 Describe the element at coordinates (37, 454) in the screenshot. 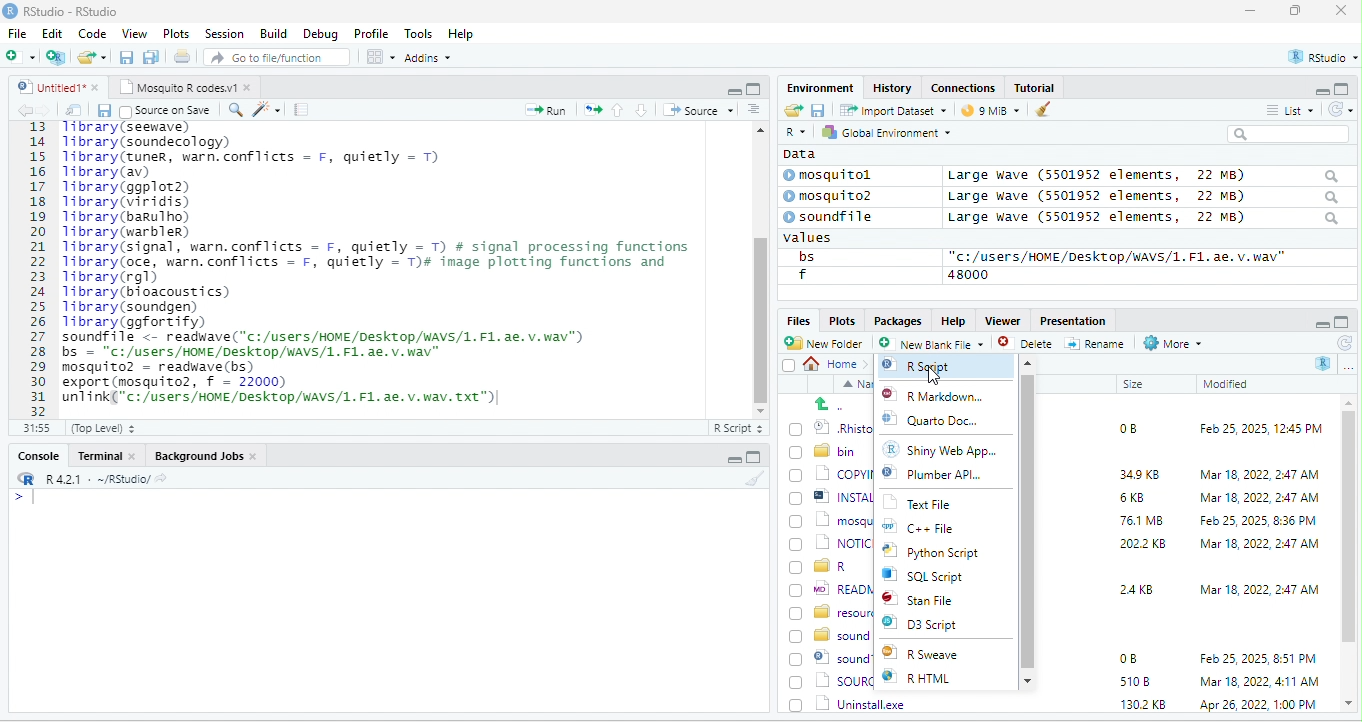

I see `Console` at that location.